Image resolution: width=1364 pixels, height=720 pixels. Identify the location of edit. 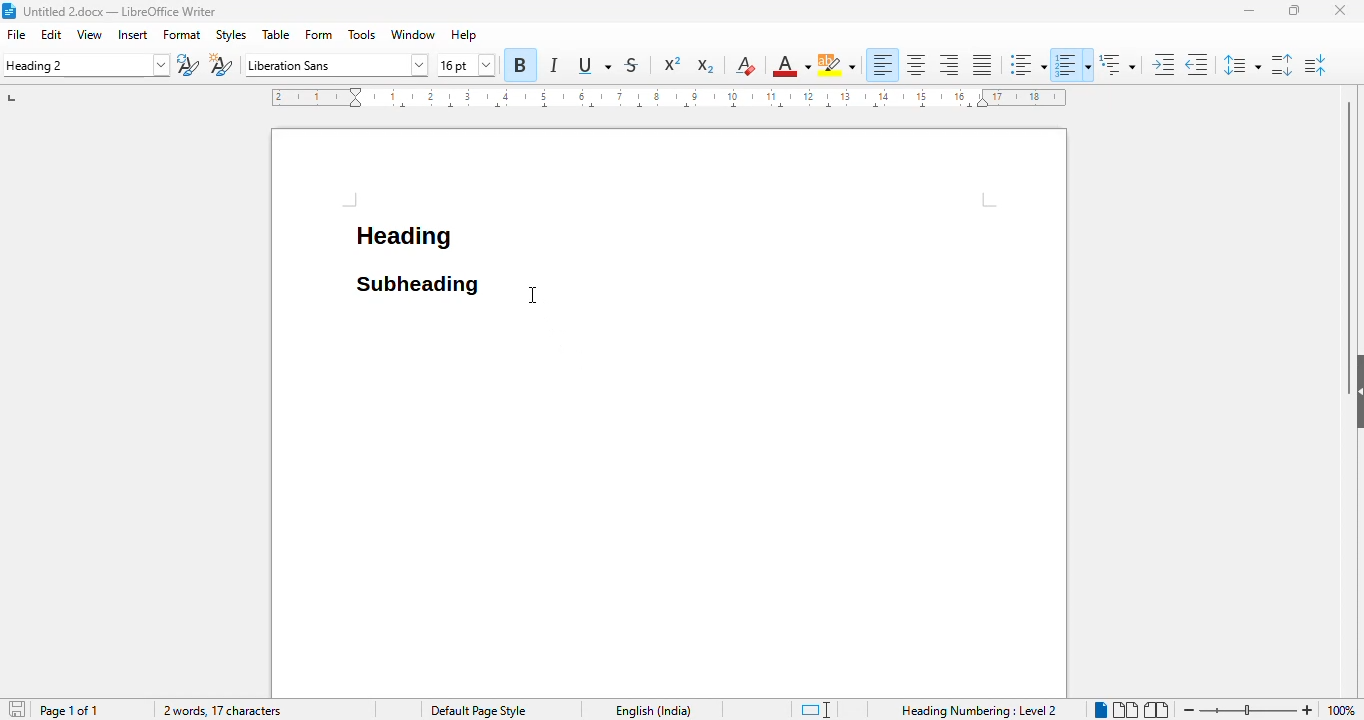
(51, 34).